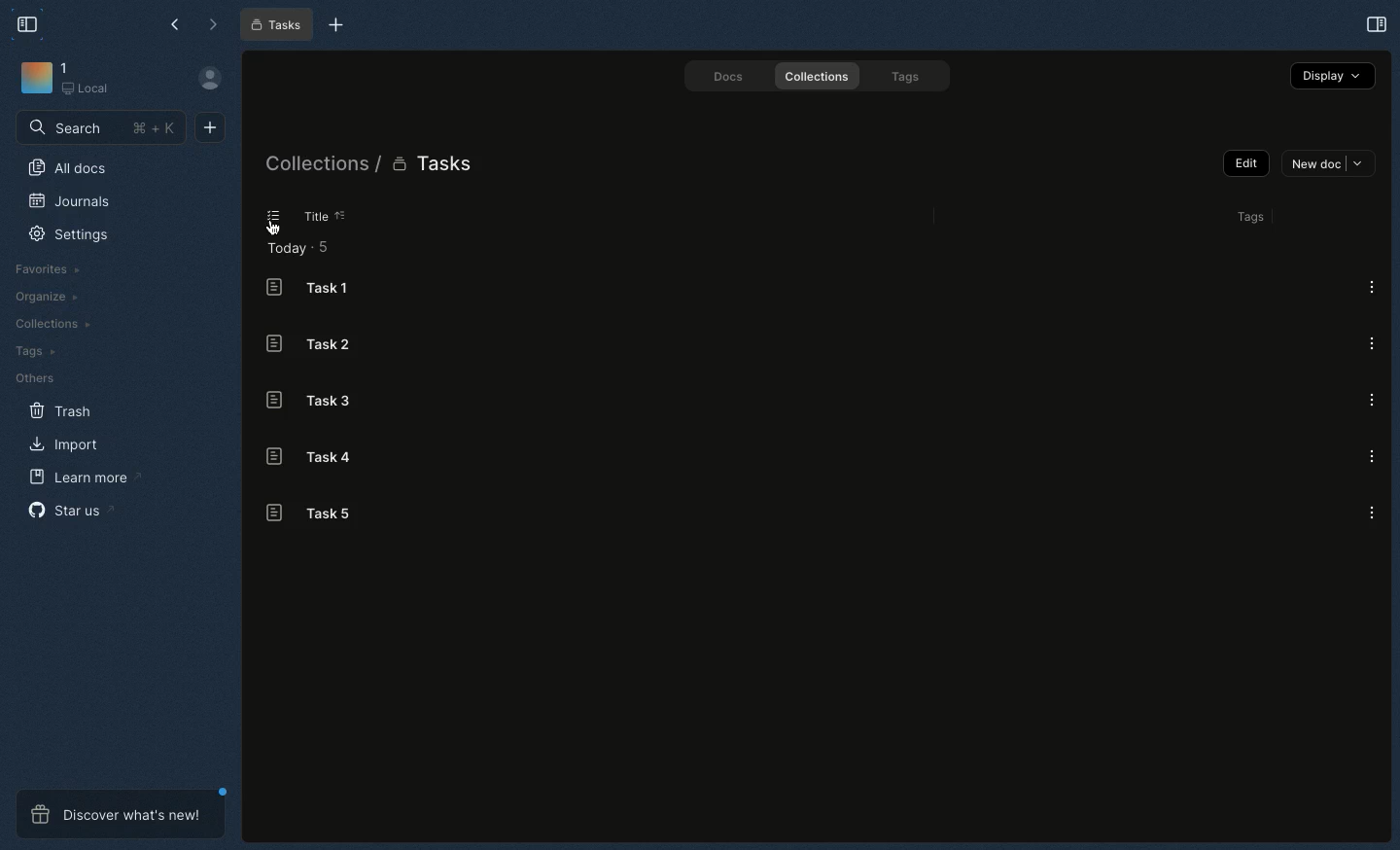 The image size is (1400, 850). What do you see at coordinates (1371, 456) in the screenshot?
I see `Options` at bounding box center [1371, 456].